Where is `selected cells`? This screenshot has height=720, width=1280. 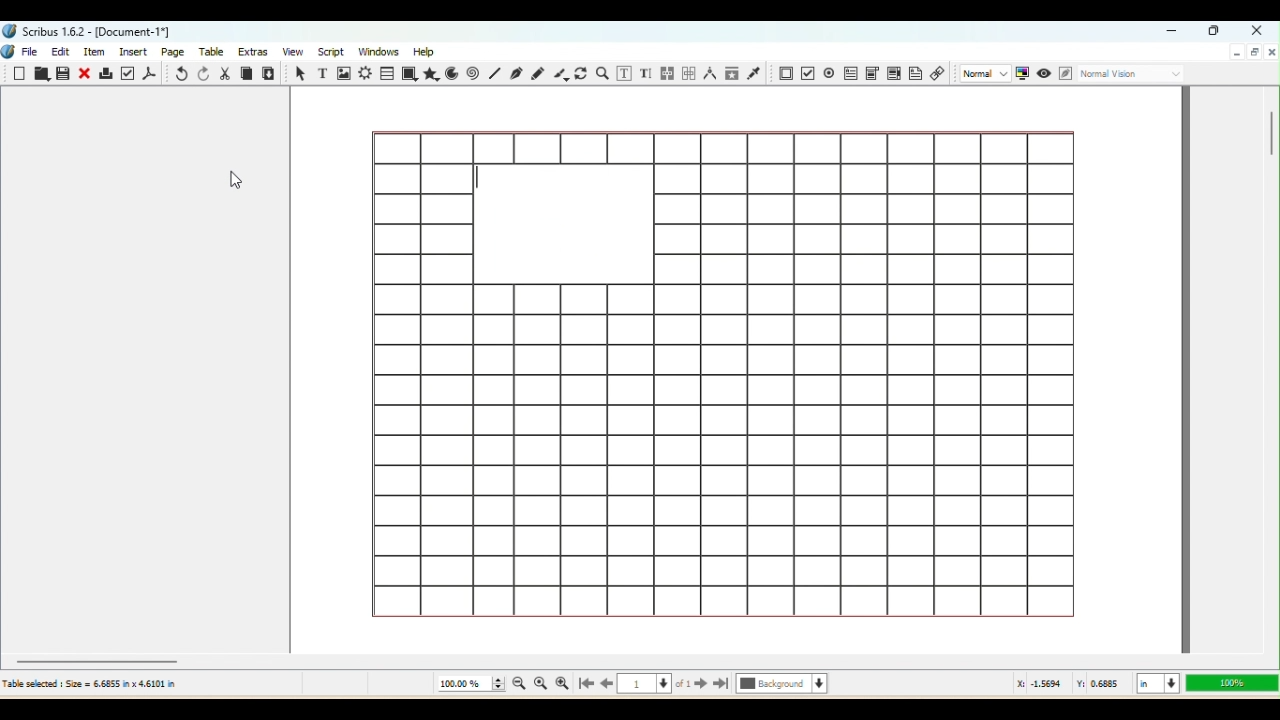
selected cells is located at coordinates (563, 223).